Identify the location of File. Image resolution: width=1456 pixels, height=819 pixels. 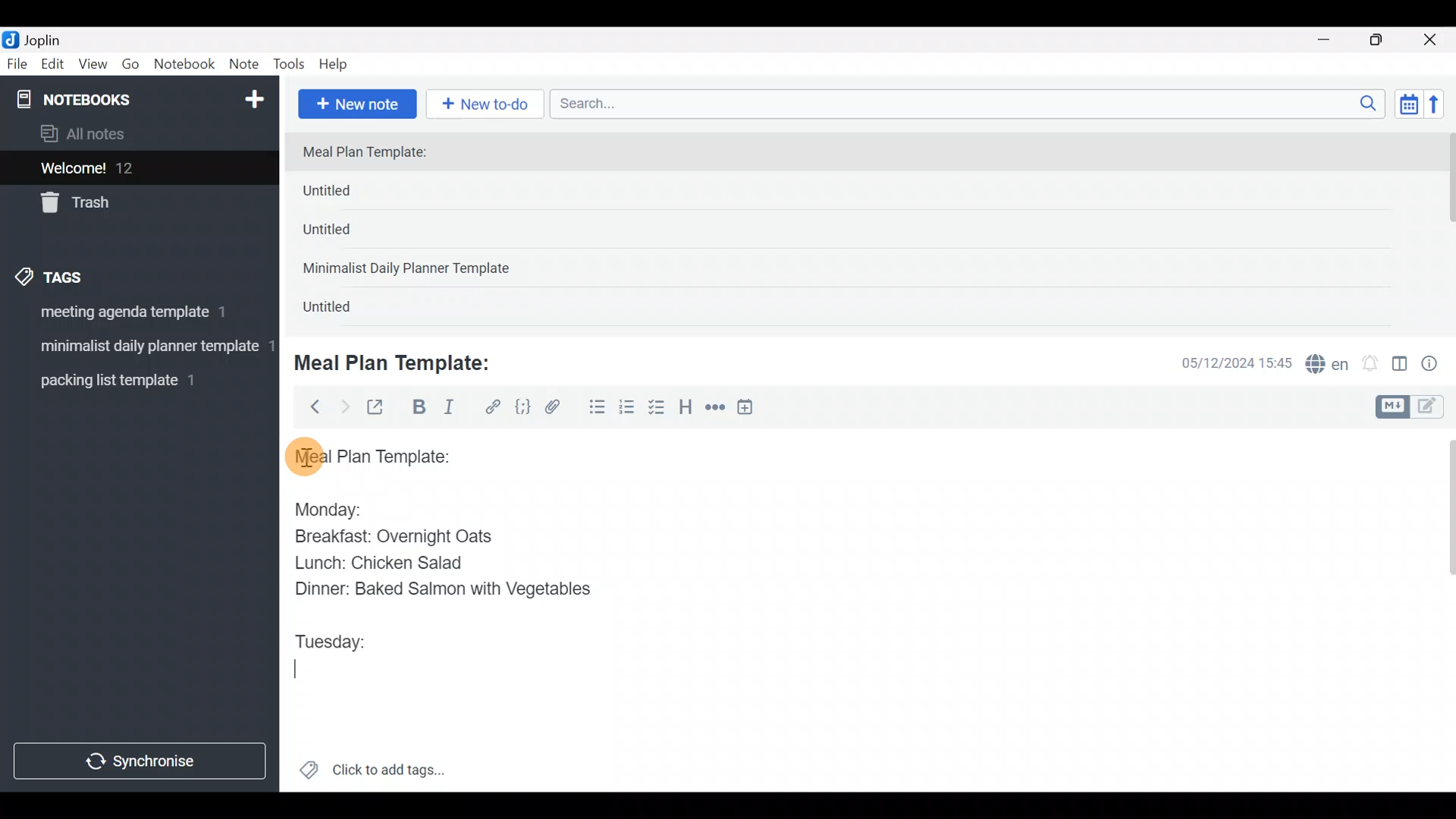
(18, 64).